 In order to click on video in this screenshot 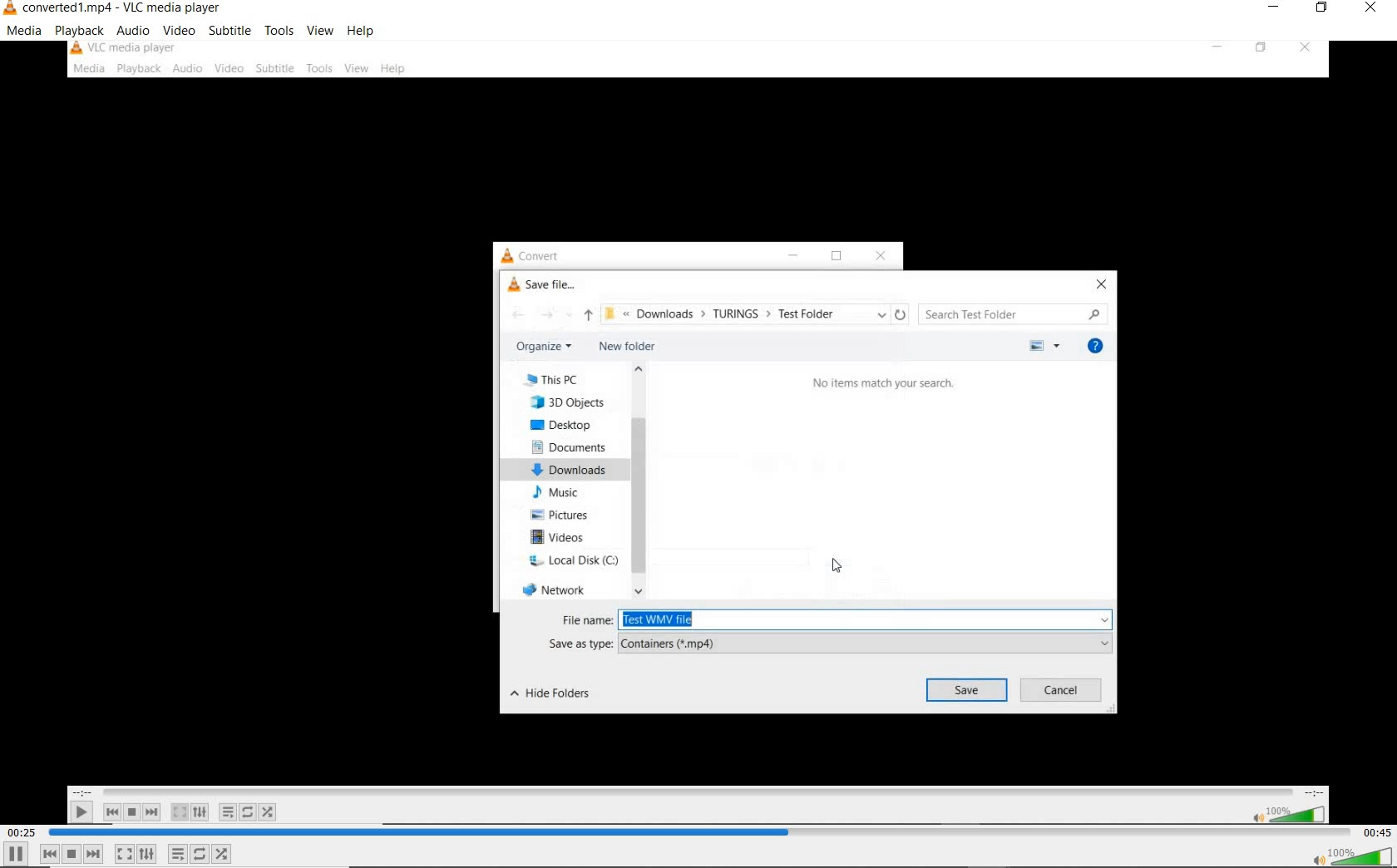, I will do `click(697, 432)`.